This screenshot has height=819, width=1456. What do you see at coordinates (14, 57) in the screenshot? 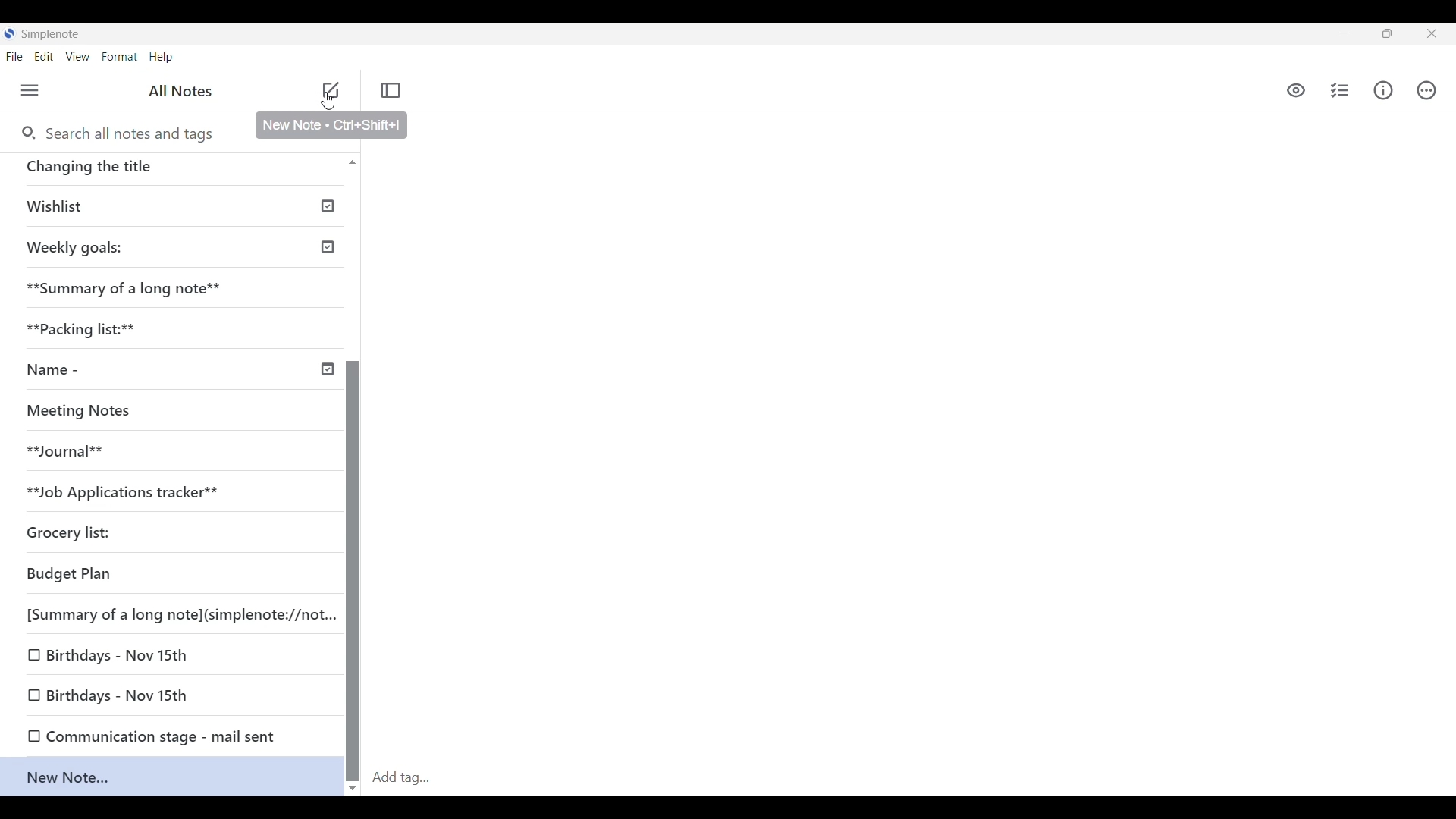
I see `File menu` at bounding box center [14, 57].